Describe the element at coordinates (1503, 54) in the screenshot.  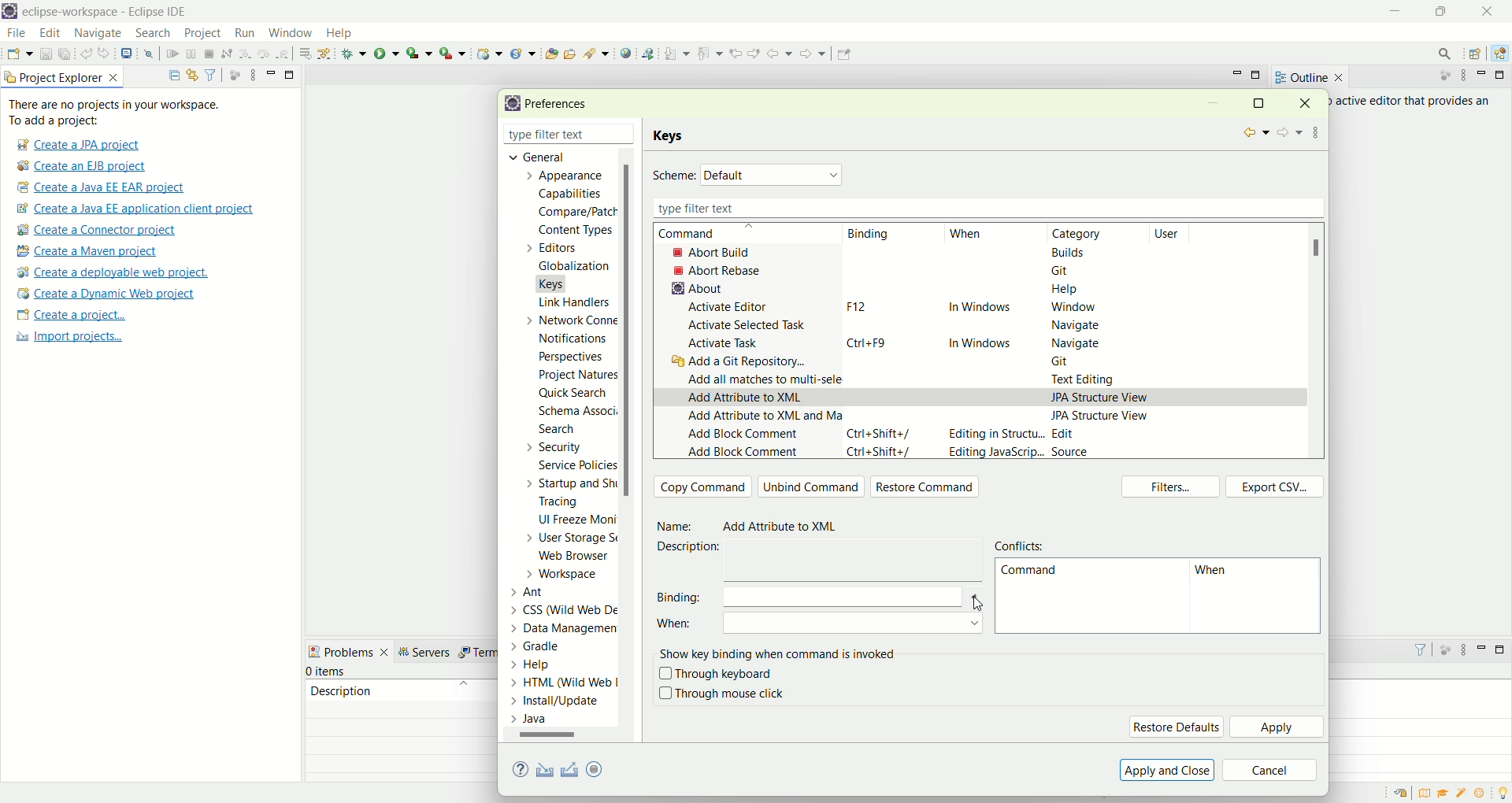
I see `Java EE` at that location.